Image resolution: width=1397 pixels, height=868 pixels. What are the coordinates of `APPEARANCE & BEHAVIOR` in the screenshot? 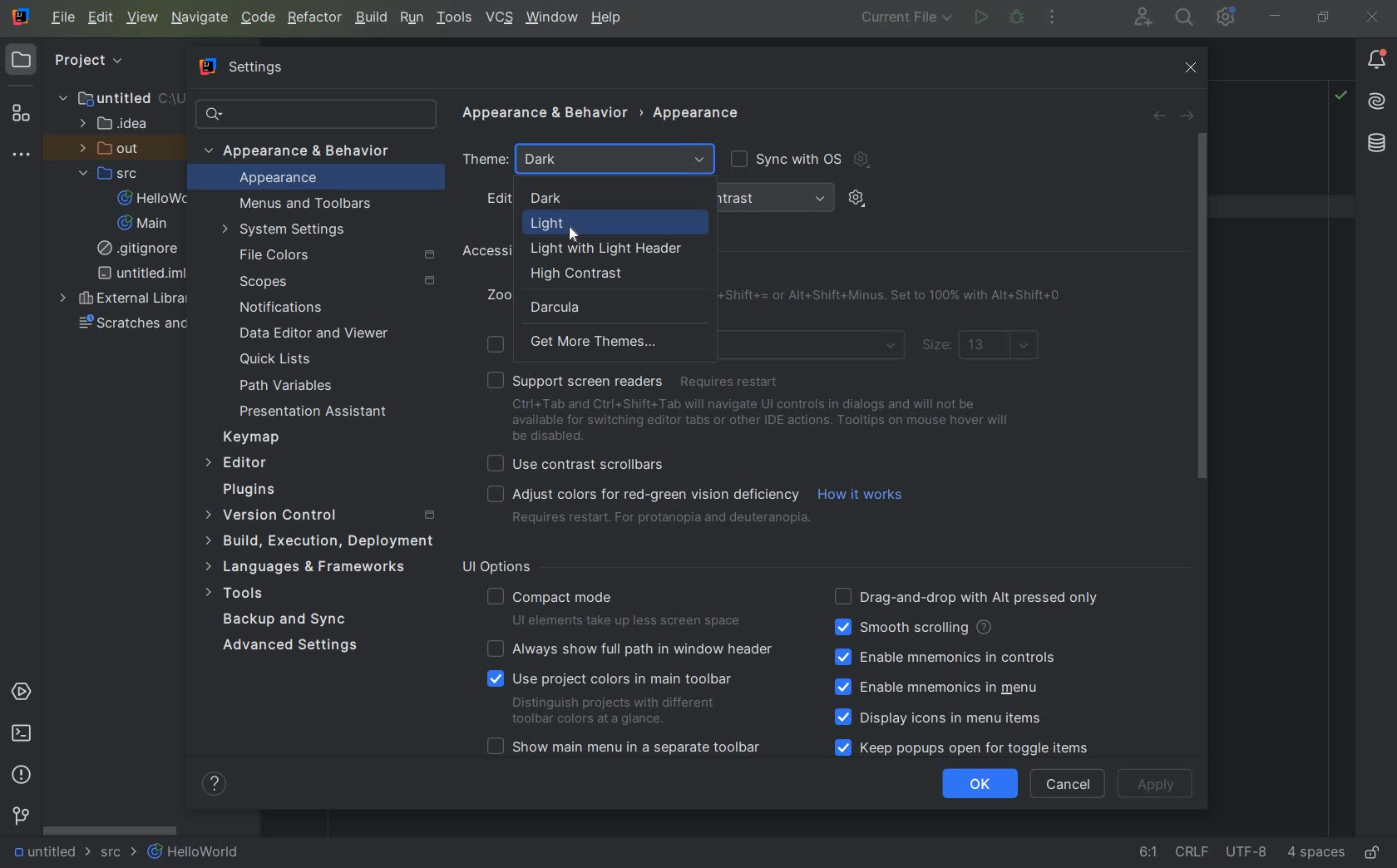 It's located at (306, 150).